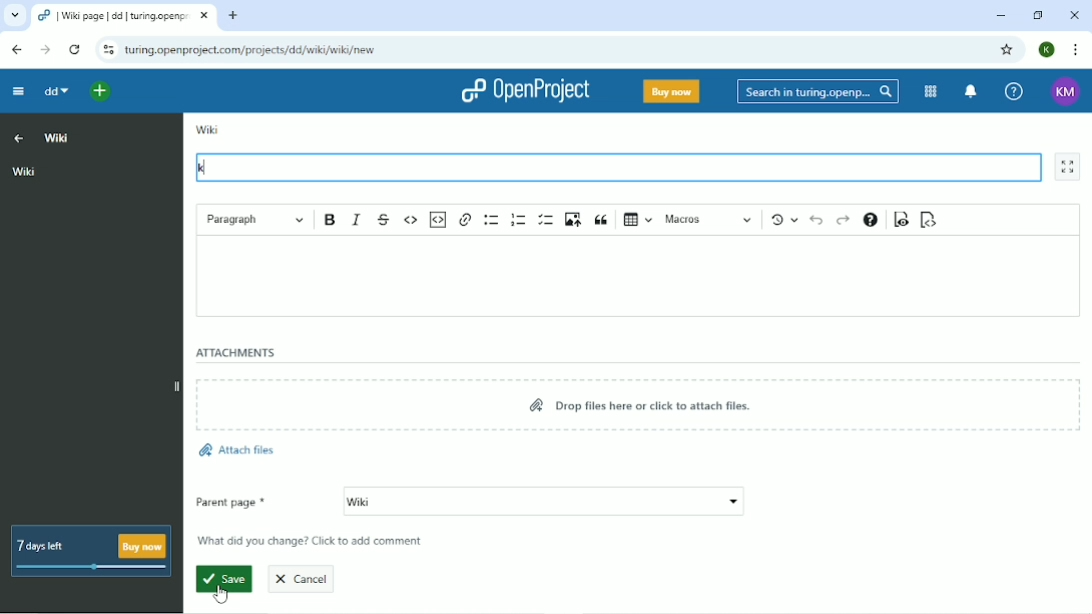  Describe the element at coordinates (1036, 15) in the screenshot. I see `Restore down` at that location.